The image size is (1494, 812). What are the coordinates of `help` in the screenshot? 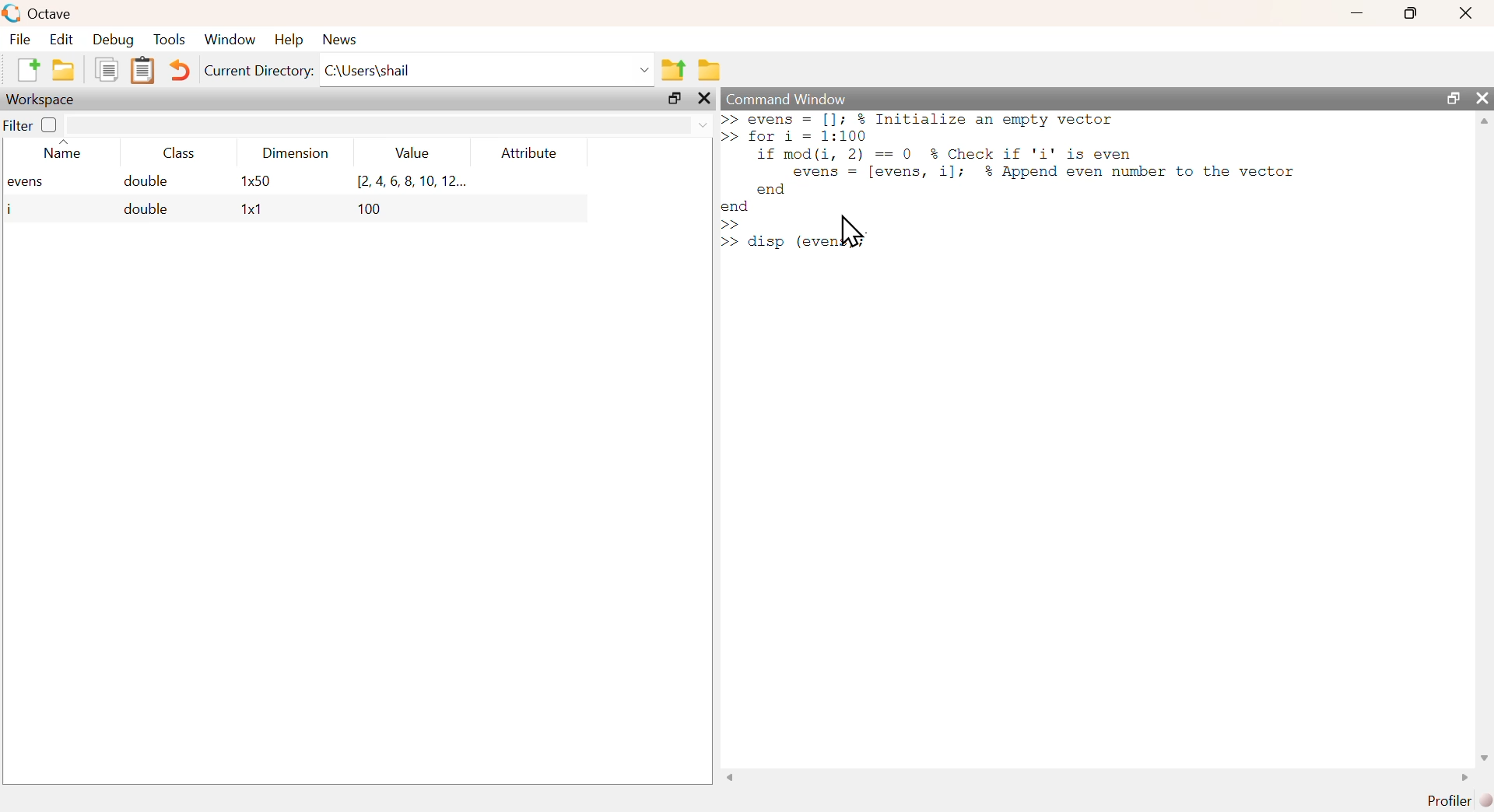 It's located at (288, 38).